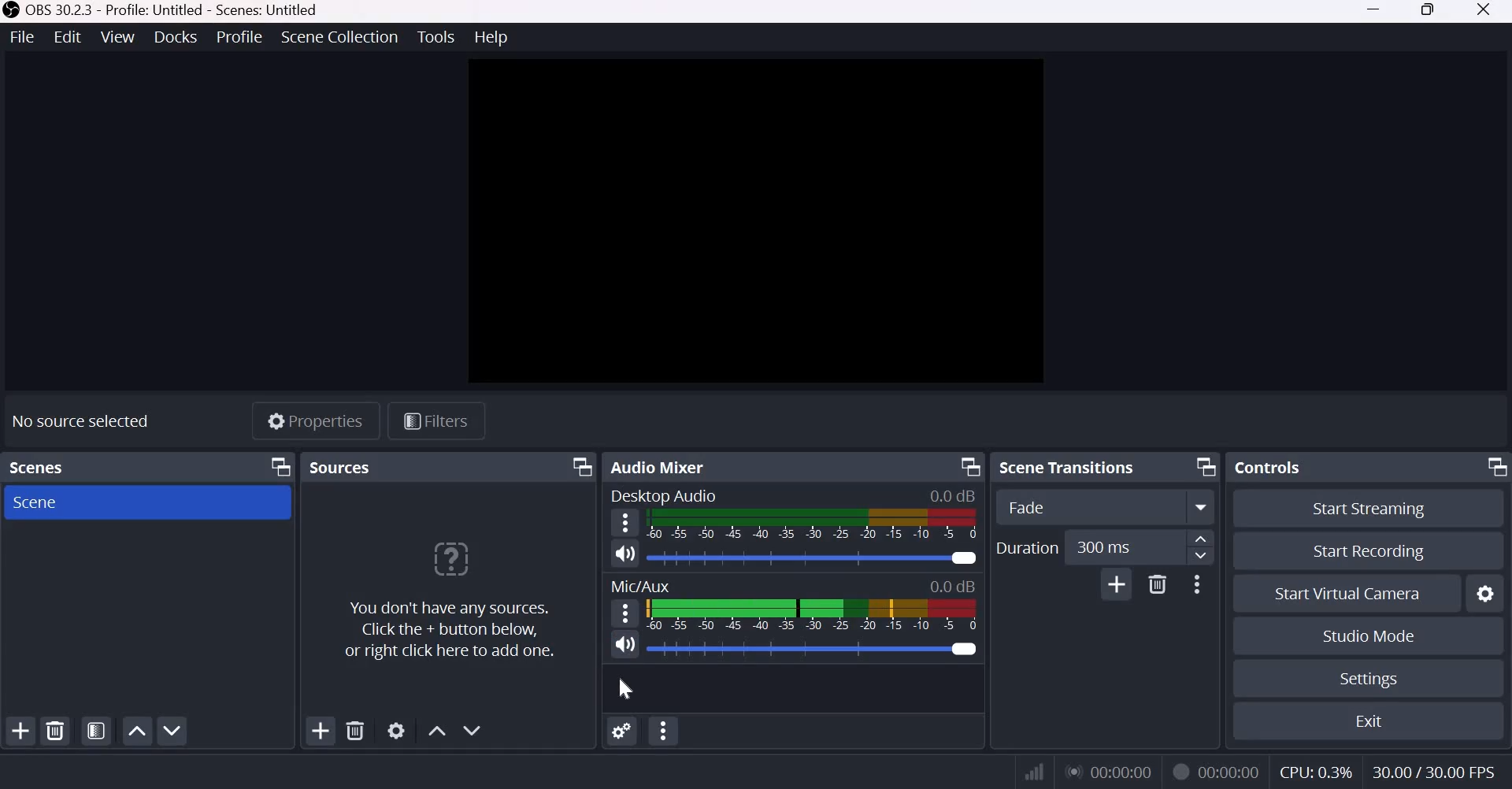  Describe the element at coordinates (1429, 11) in the screenshot. I see `Window size toggle` at that location.